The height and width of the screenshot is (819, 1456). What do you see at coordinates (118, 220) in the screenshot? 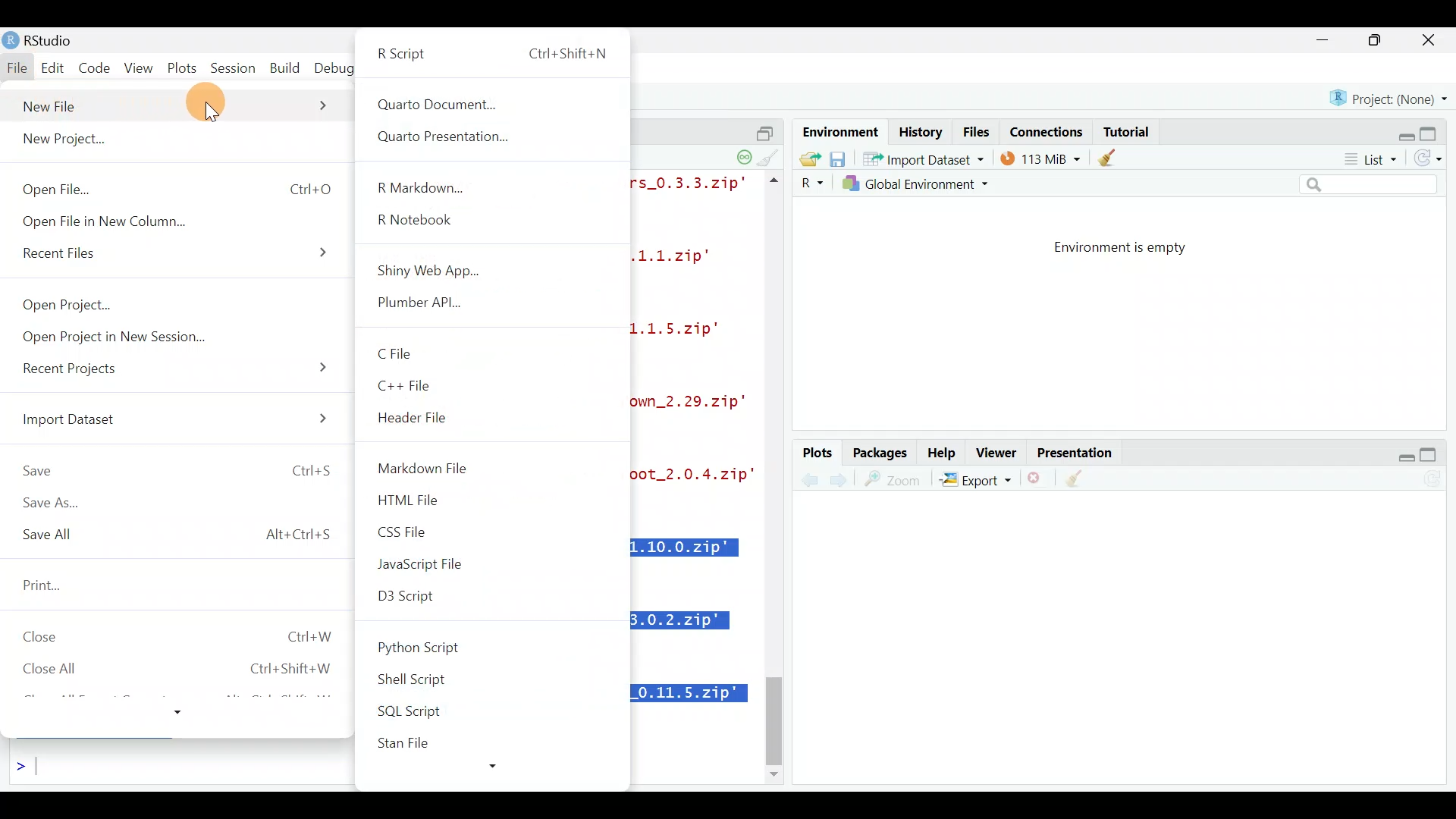
I see `Open File in New Column.` at bounding box center [118, 220].